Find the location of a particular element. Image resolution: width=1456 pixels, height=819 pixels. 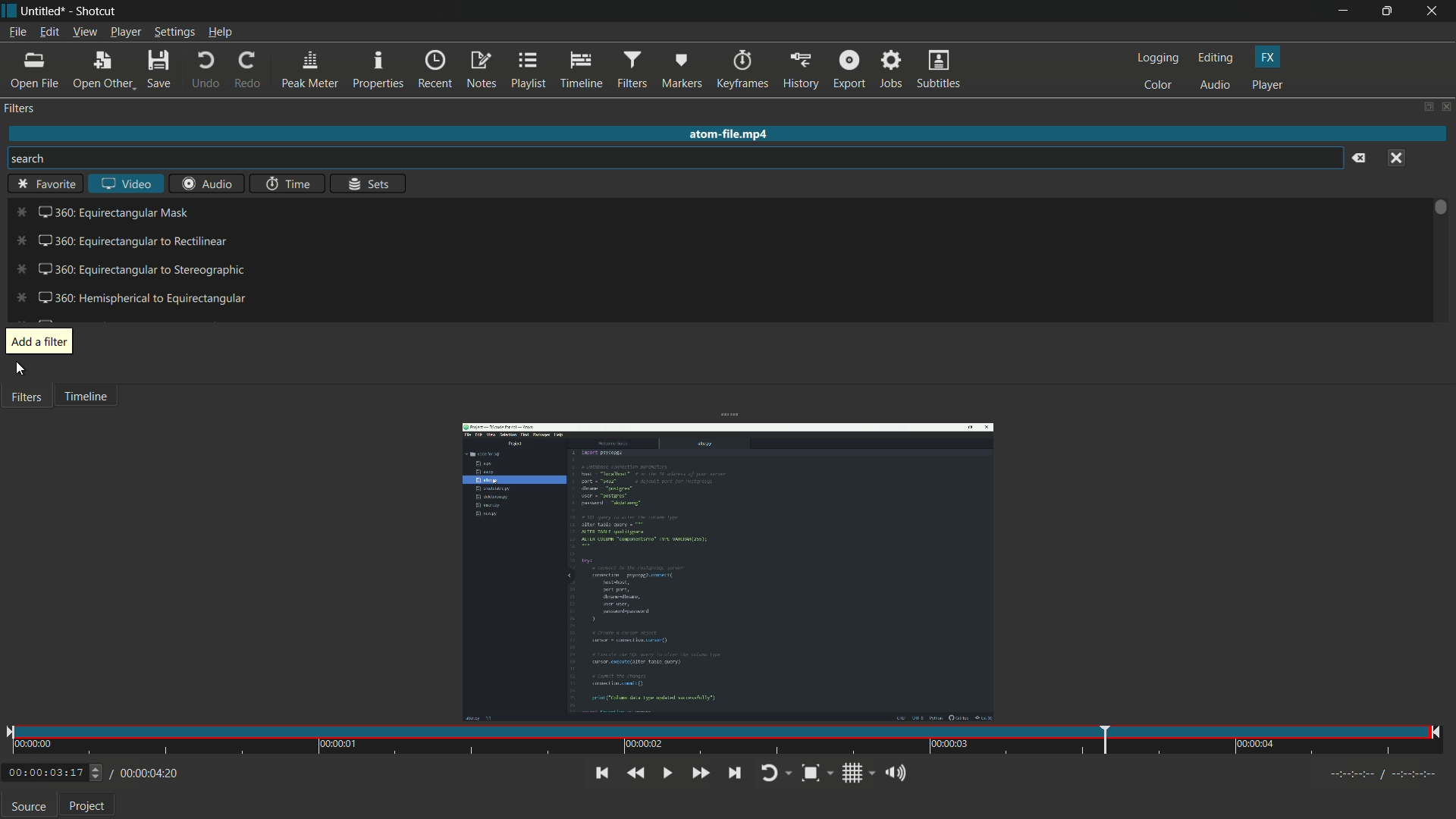

undo is located at coordinates (202, 71).